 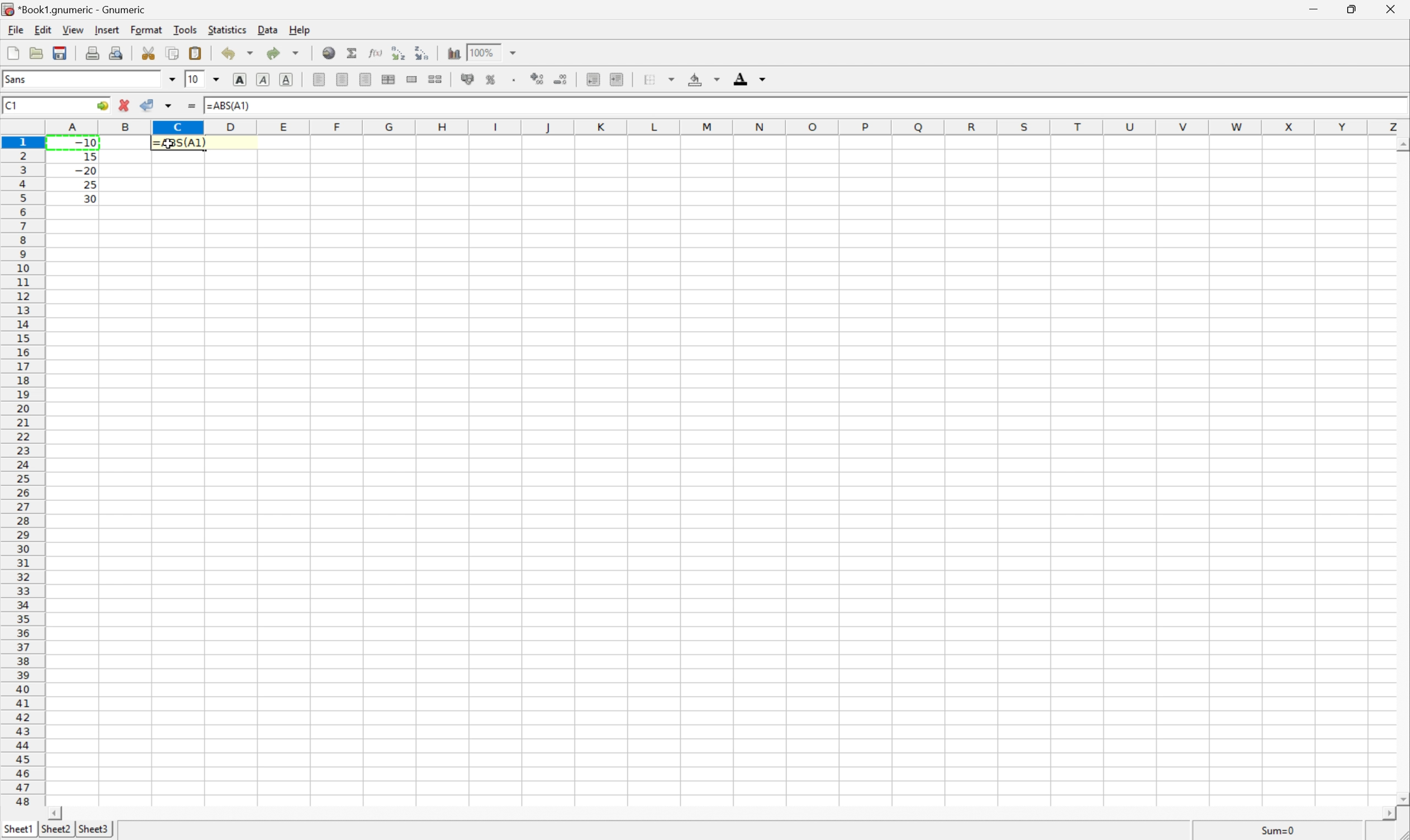 I want to click on Sans, so click(x=18, y=79).